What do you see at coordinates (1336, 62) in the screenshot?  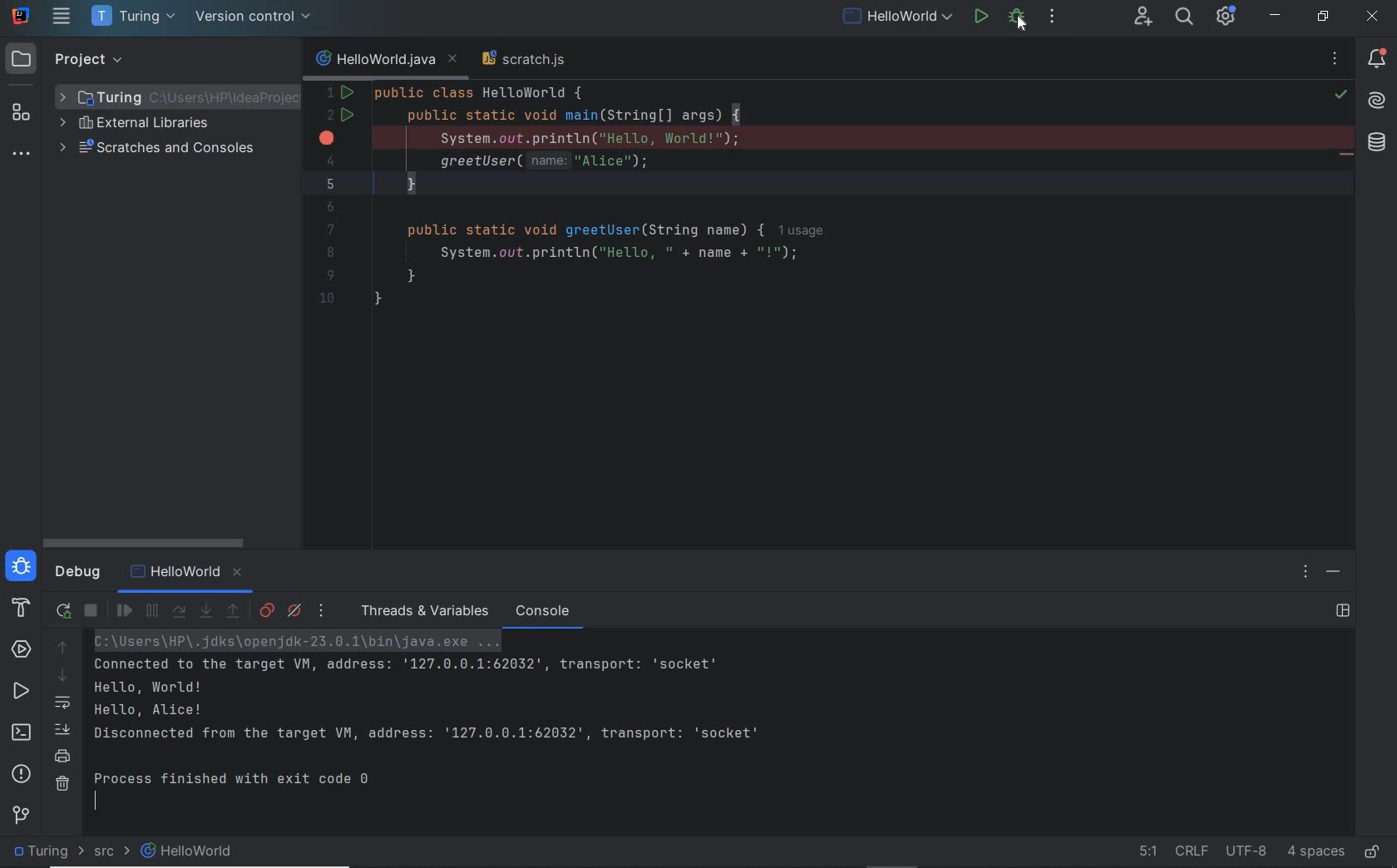 I see `recent files, tab actions` at bounding box center [1336, 62].